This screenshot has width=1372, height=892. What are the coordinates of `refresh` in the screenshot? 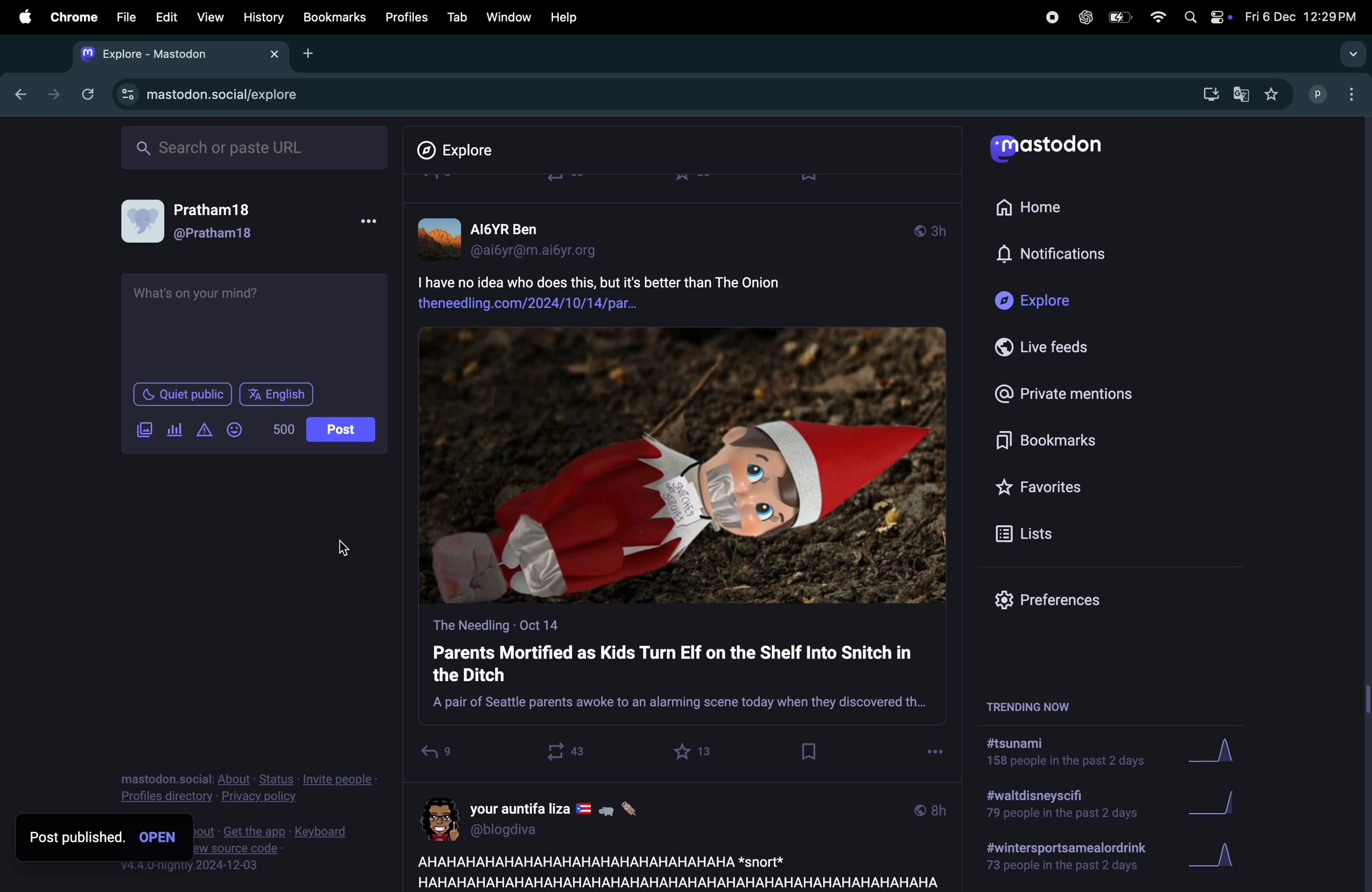 It's located at (85, 94).